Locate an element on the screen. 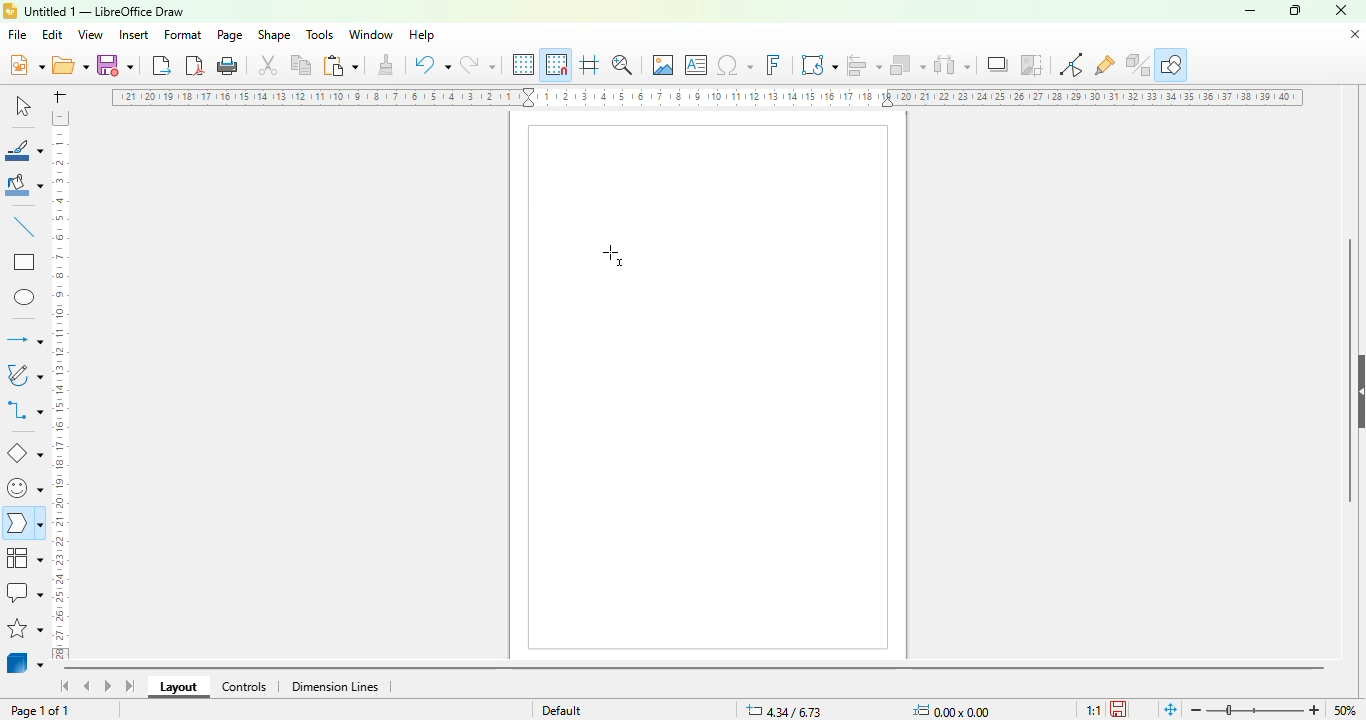  toggle point edit mode is located at coordinates (1071, 64).